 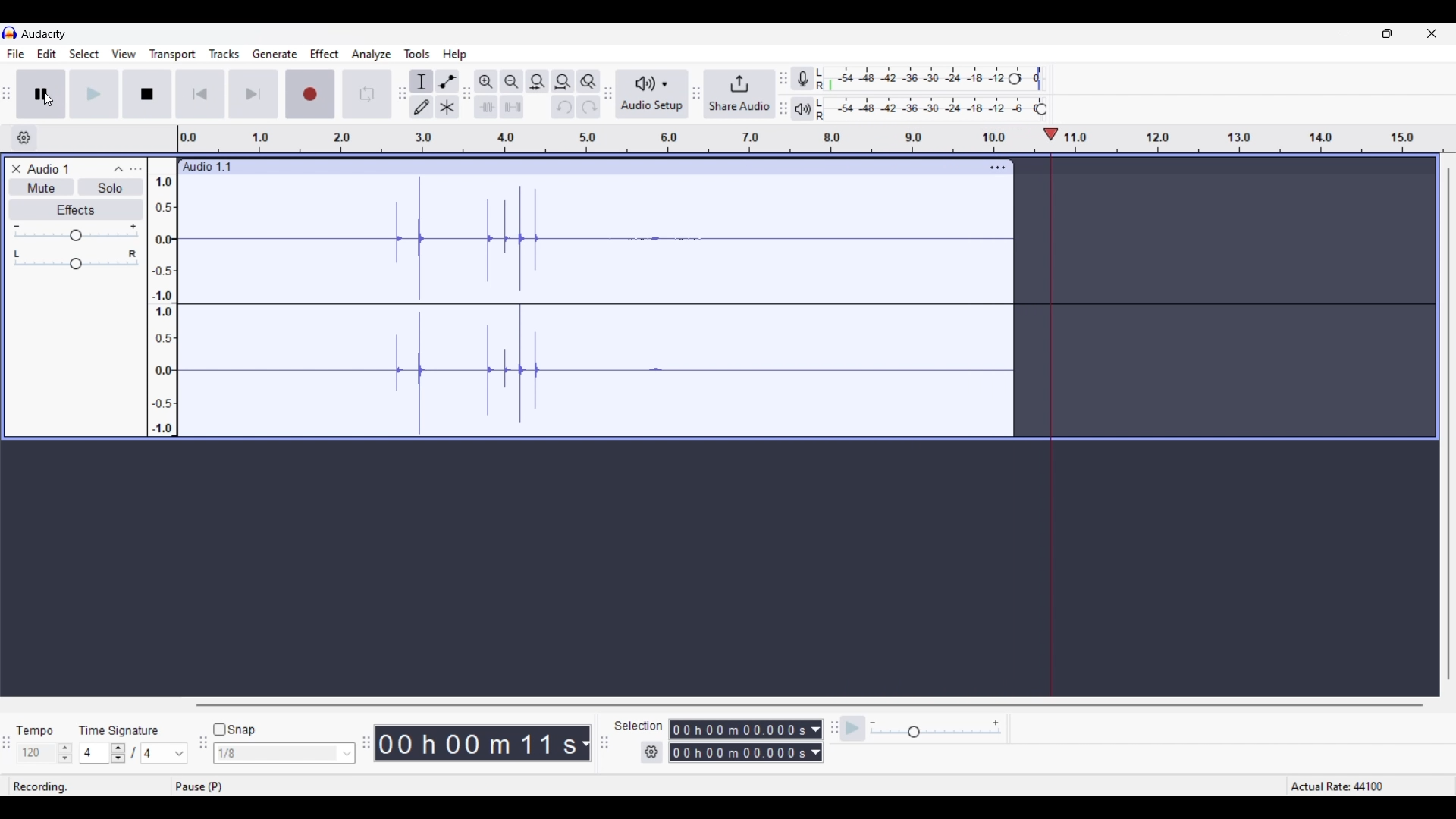 I want to click on Header to change recording level, so click(x=1031, y=77).